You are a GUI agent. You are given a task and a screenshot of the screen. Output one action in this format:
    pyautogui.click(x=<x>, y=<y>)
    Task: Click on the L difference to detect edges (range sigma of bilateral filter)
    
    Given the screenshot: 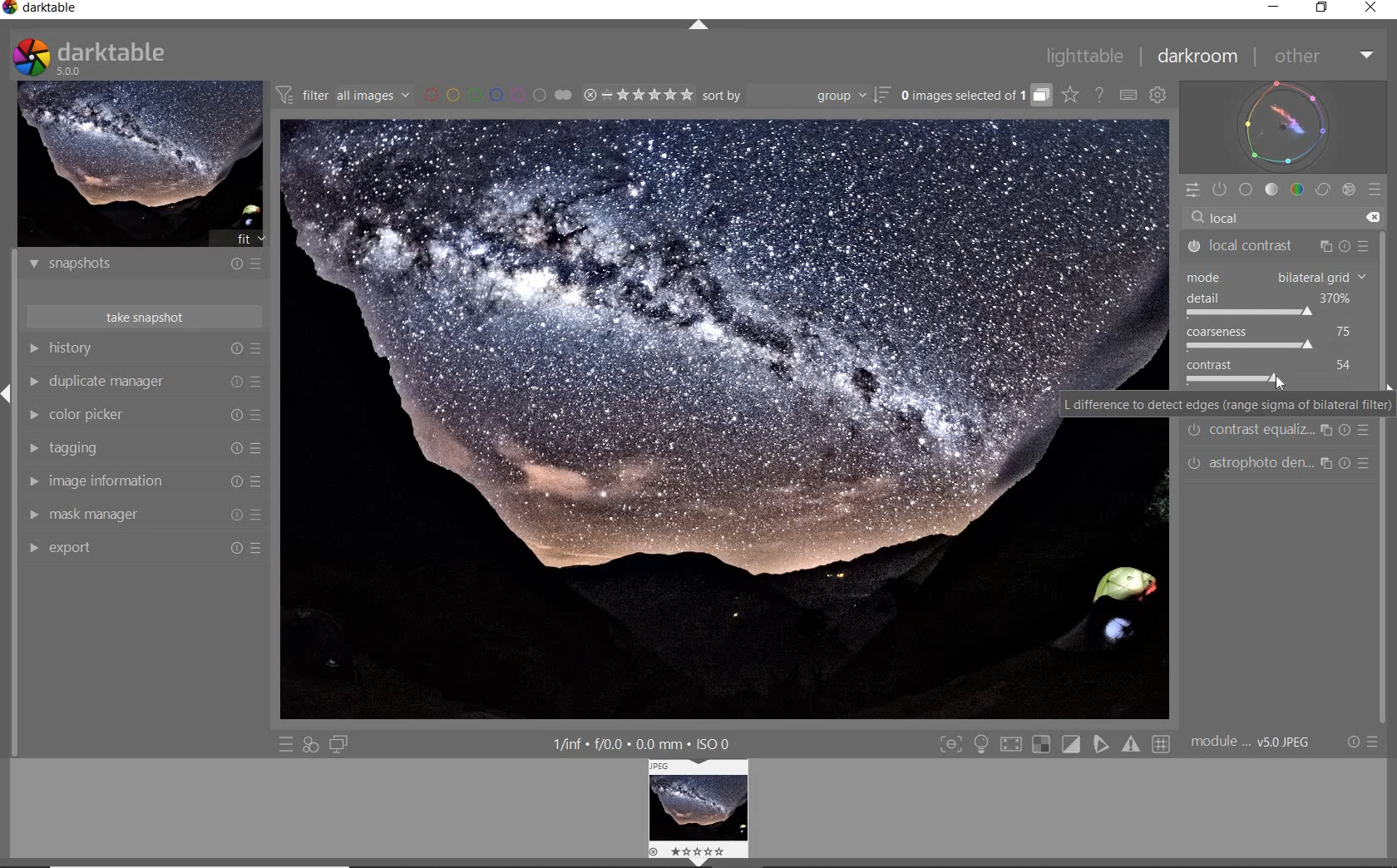 What is the action you would take?
    pyautogui.click(x=1227, y=402)
    